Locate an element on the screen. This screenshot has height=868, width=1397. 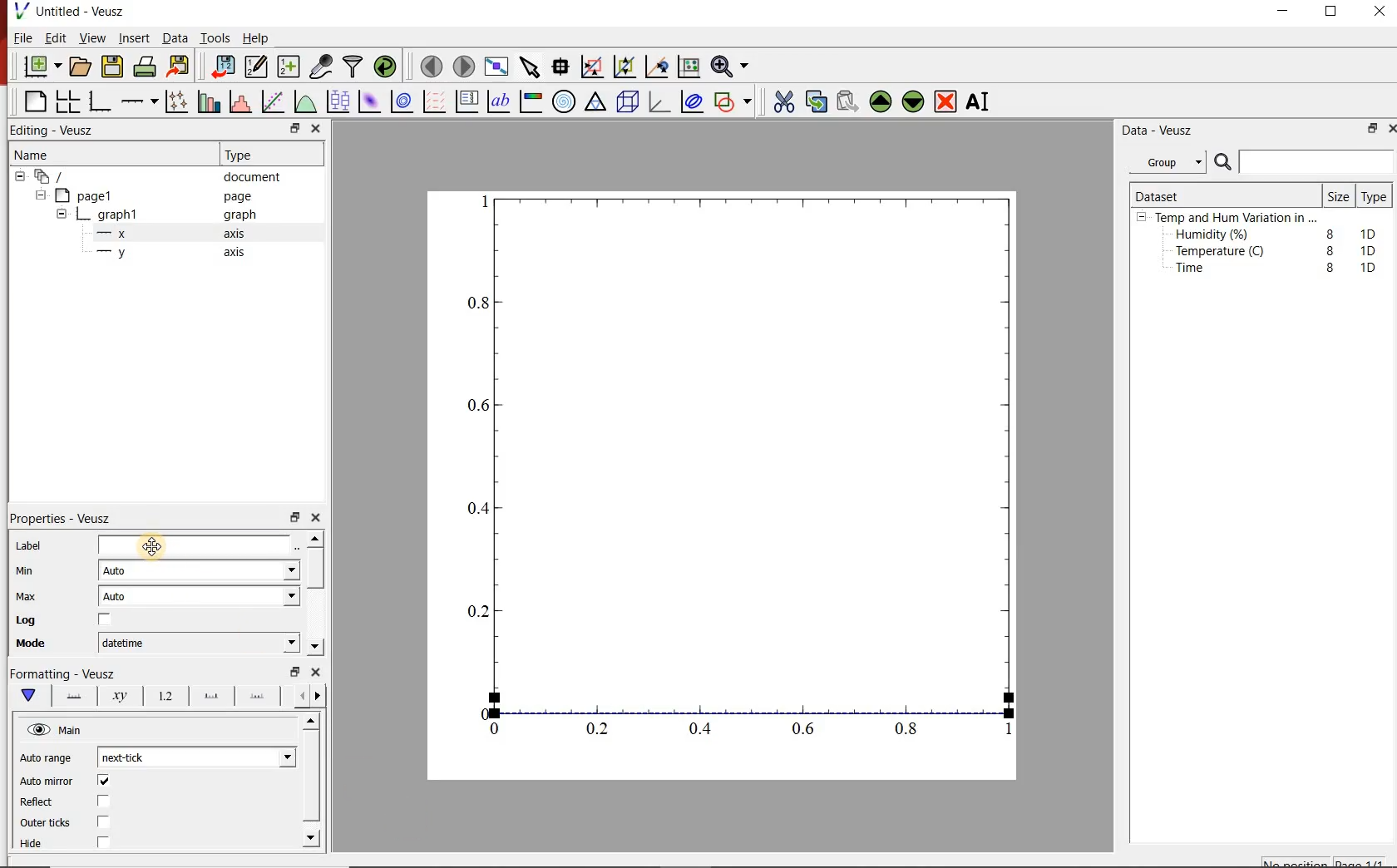
Auto range is located at coordinates (49, 759).